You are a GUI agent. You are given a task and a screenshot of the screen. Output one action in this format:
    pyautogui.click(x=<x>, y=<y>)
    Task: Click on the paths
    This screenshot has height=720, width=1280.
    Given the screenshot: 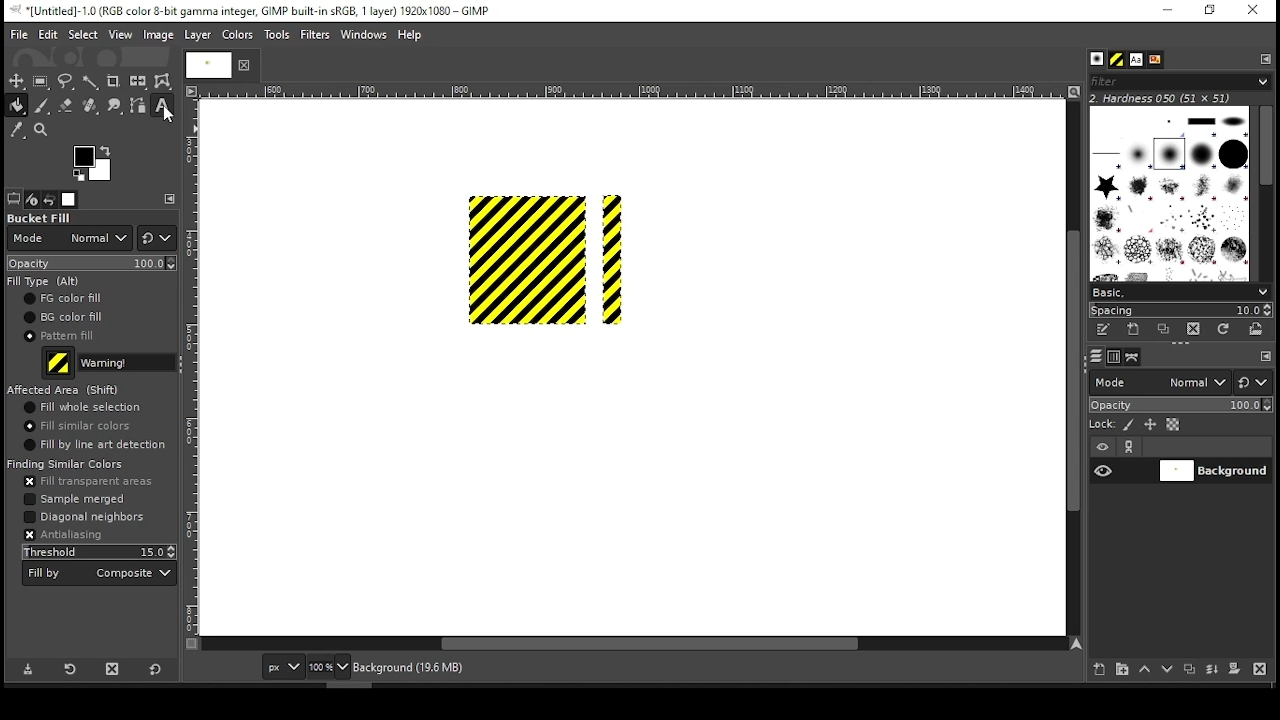 What is the action you would take?
    pyautogui.click(x=1135, y=356)
    